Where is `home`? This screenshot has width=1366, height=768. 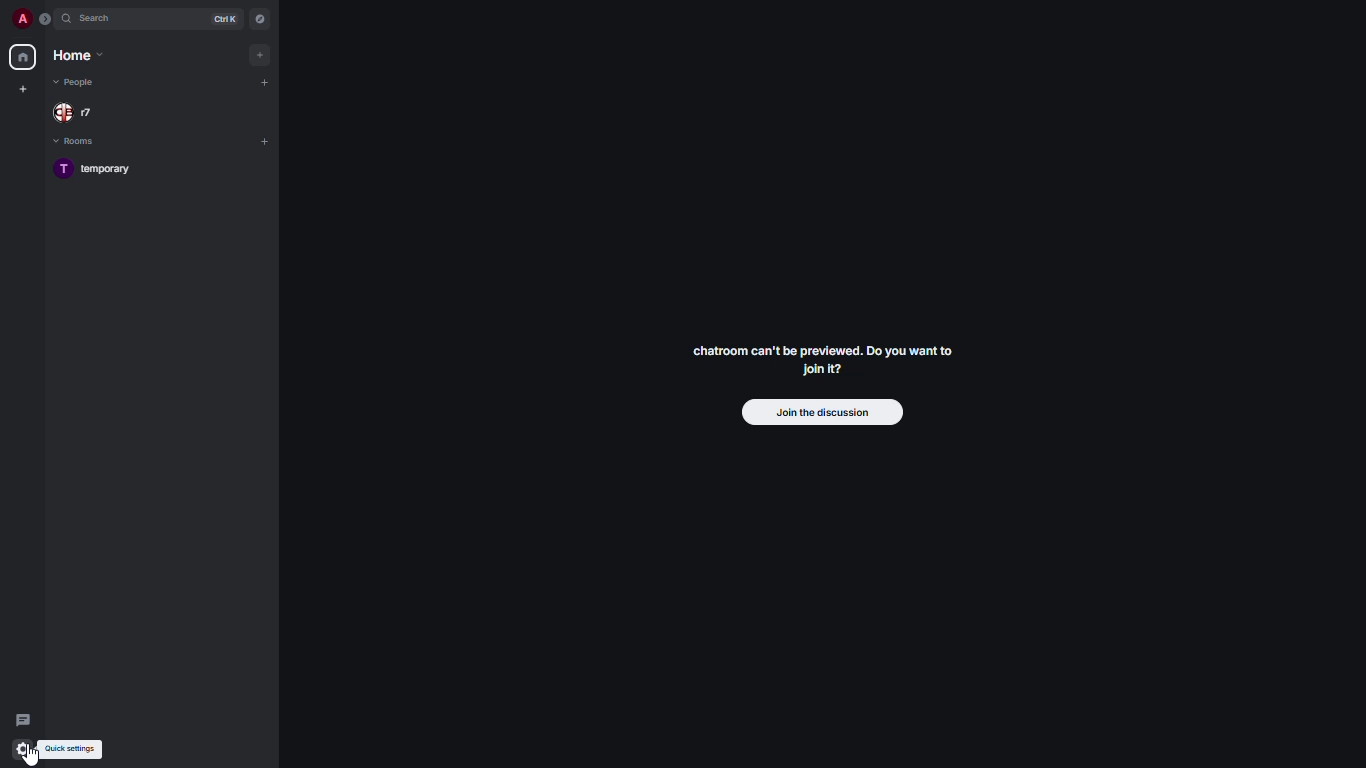
home is located at coordinates (24, 58).